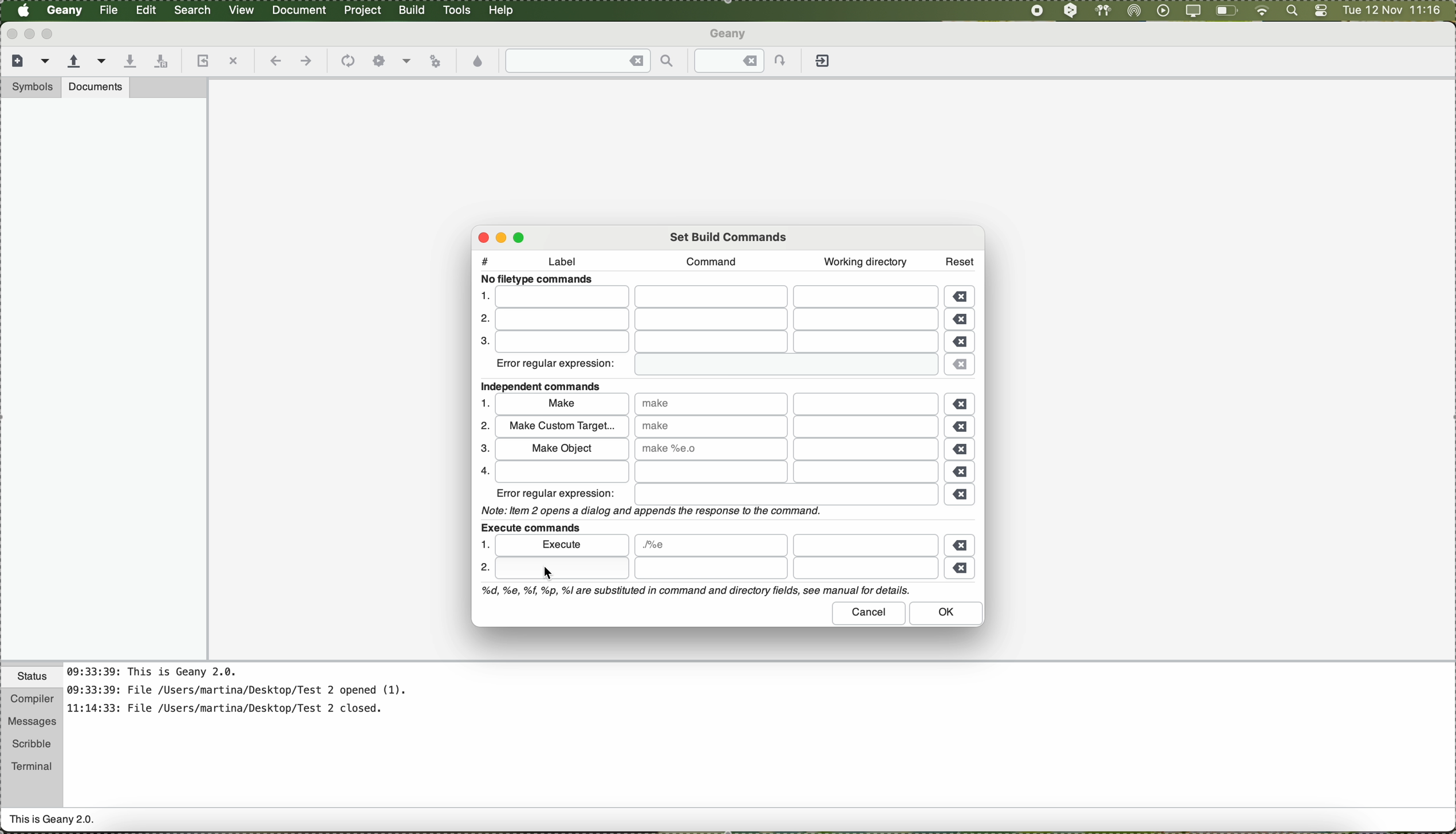 This screenshot has width=1456, height=834. What do you see at coordinates (23, 10) in the screenshot?
I see `Apple icon` at bounding box center [23, 10].